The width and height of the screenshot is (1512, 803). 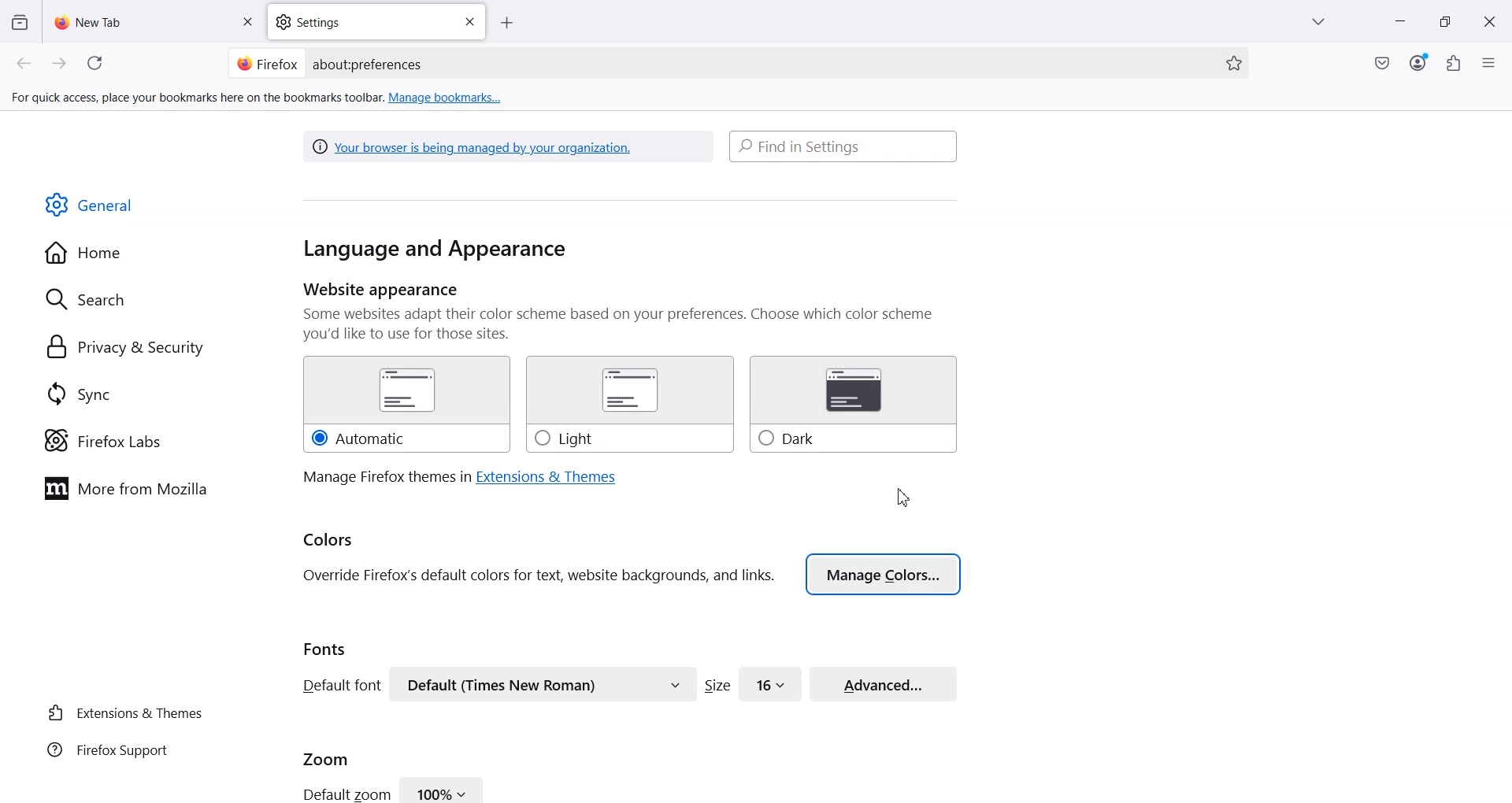 I want to click on Close, so click(x=469, y=22).